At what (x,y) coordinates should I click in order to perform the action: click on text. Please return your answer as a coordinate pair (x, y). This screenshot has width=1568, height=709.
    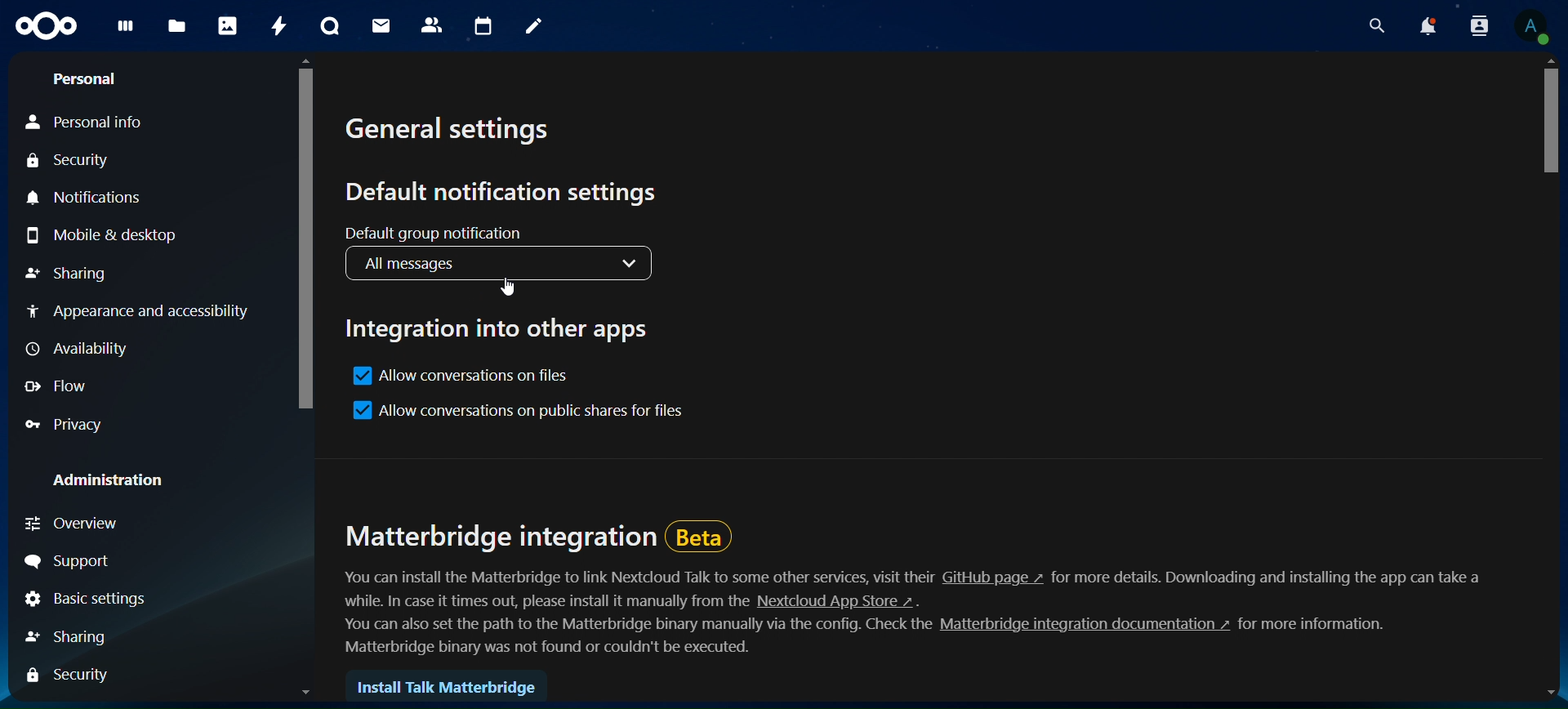
    Looking at the image, I should click on (552, 649).